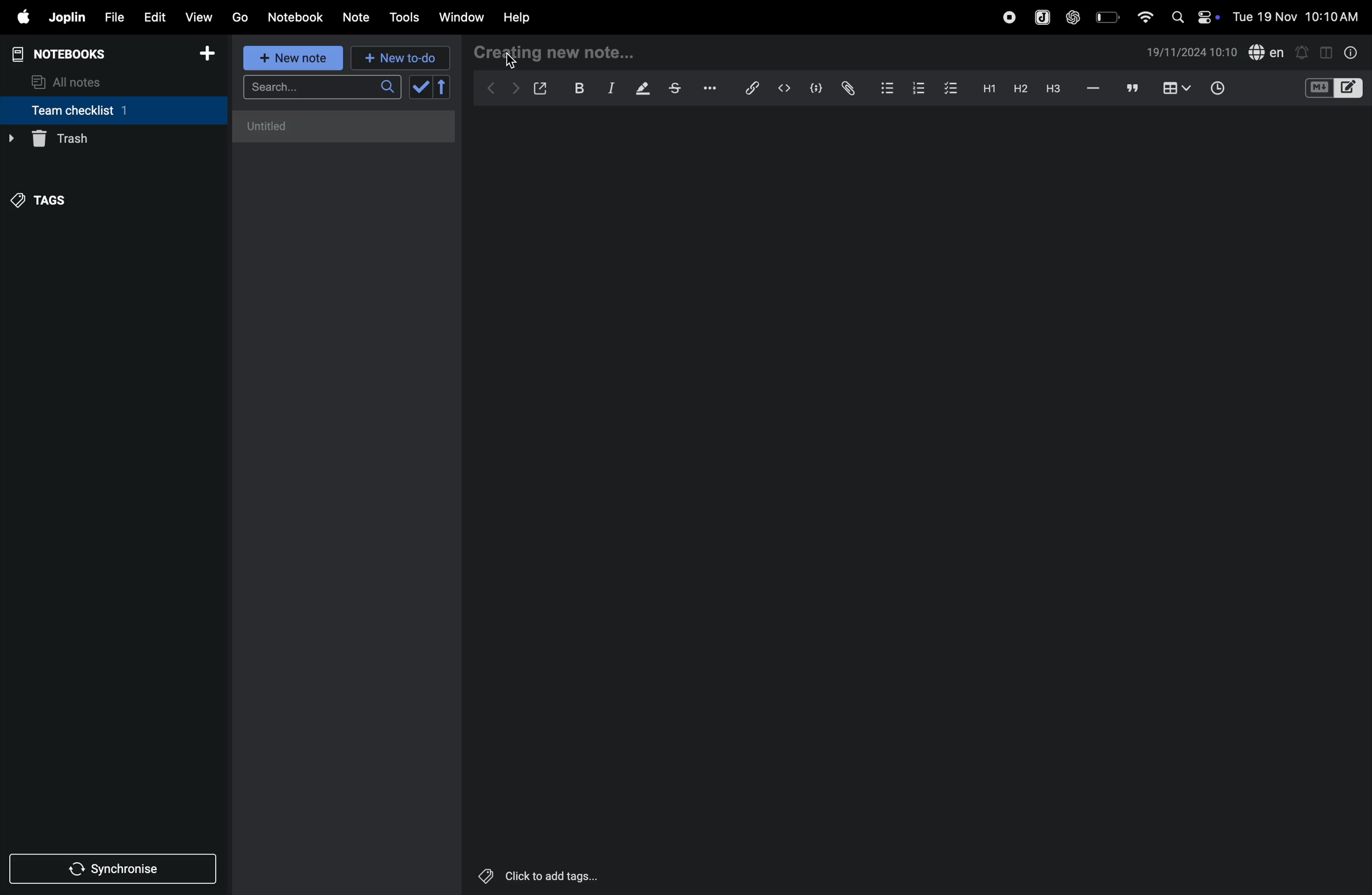  I want to click on open window, so click(541, 86).